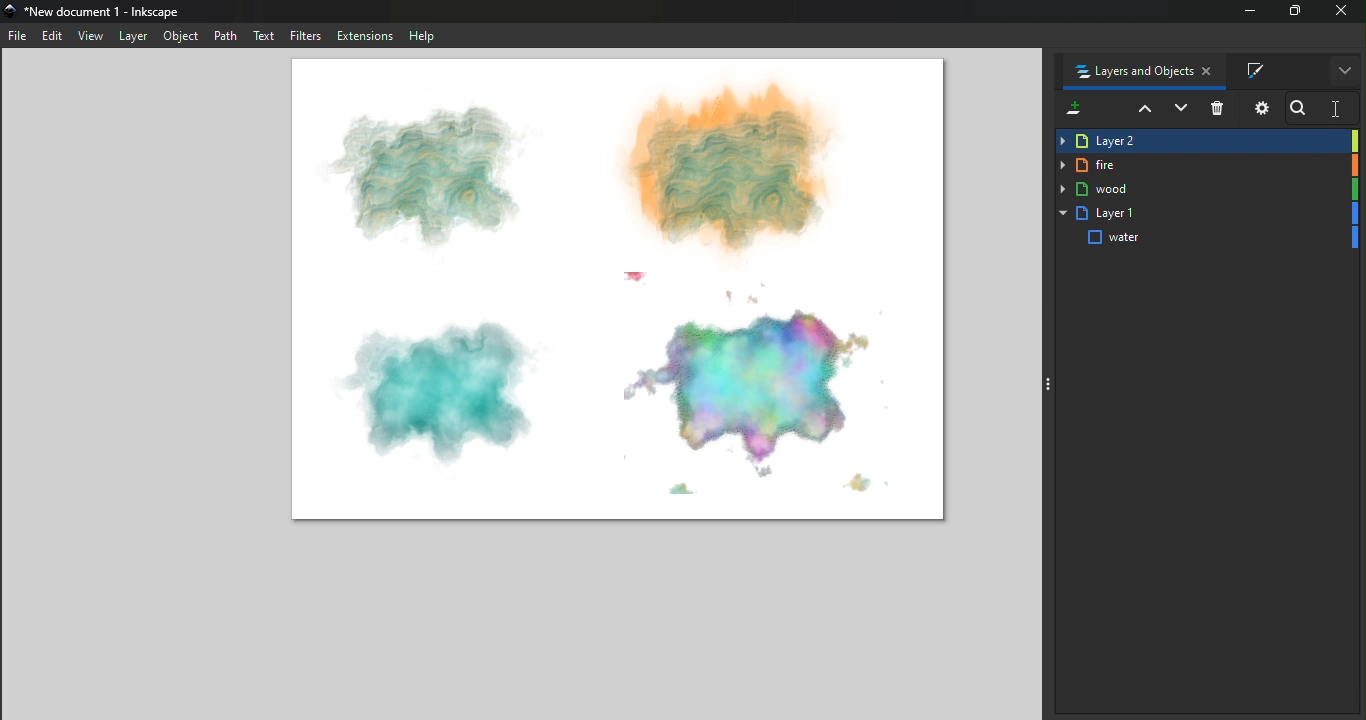 This screenshot has height=720, width=1366. Describe the element at coordinates (1054, 382) in the screenshot. I see `Toggle command panel` at that location.